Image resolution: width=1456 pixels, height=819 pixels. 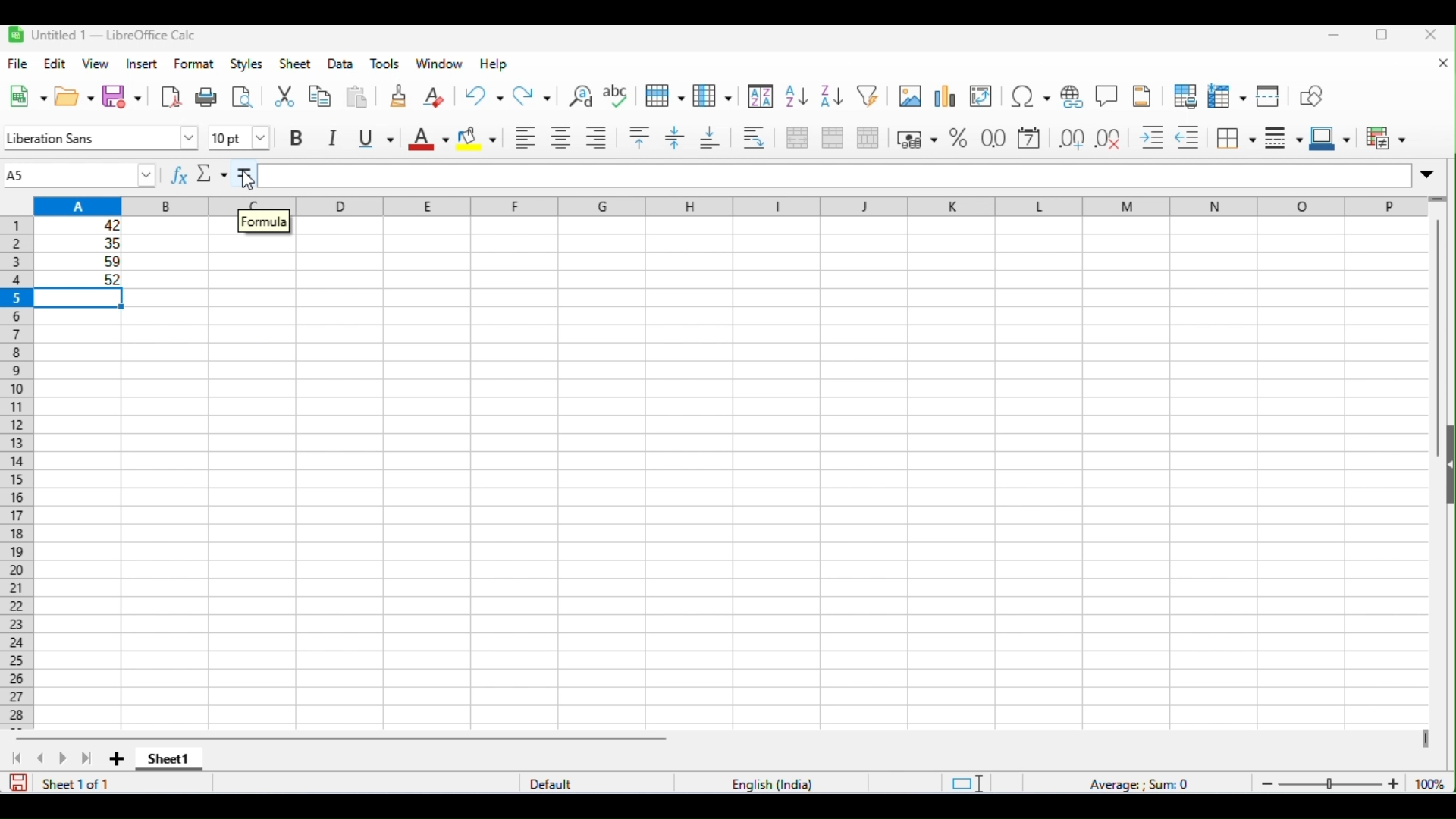 What do you see at coordinates (79, 783) in the screenshot?
I see `sheet 1 of 1` at bounding box center [79, 783].